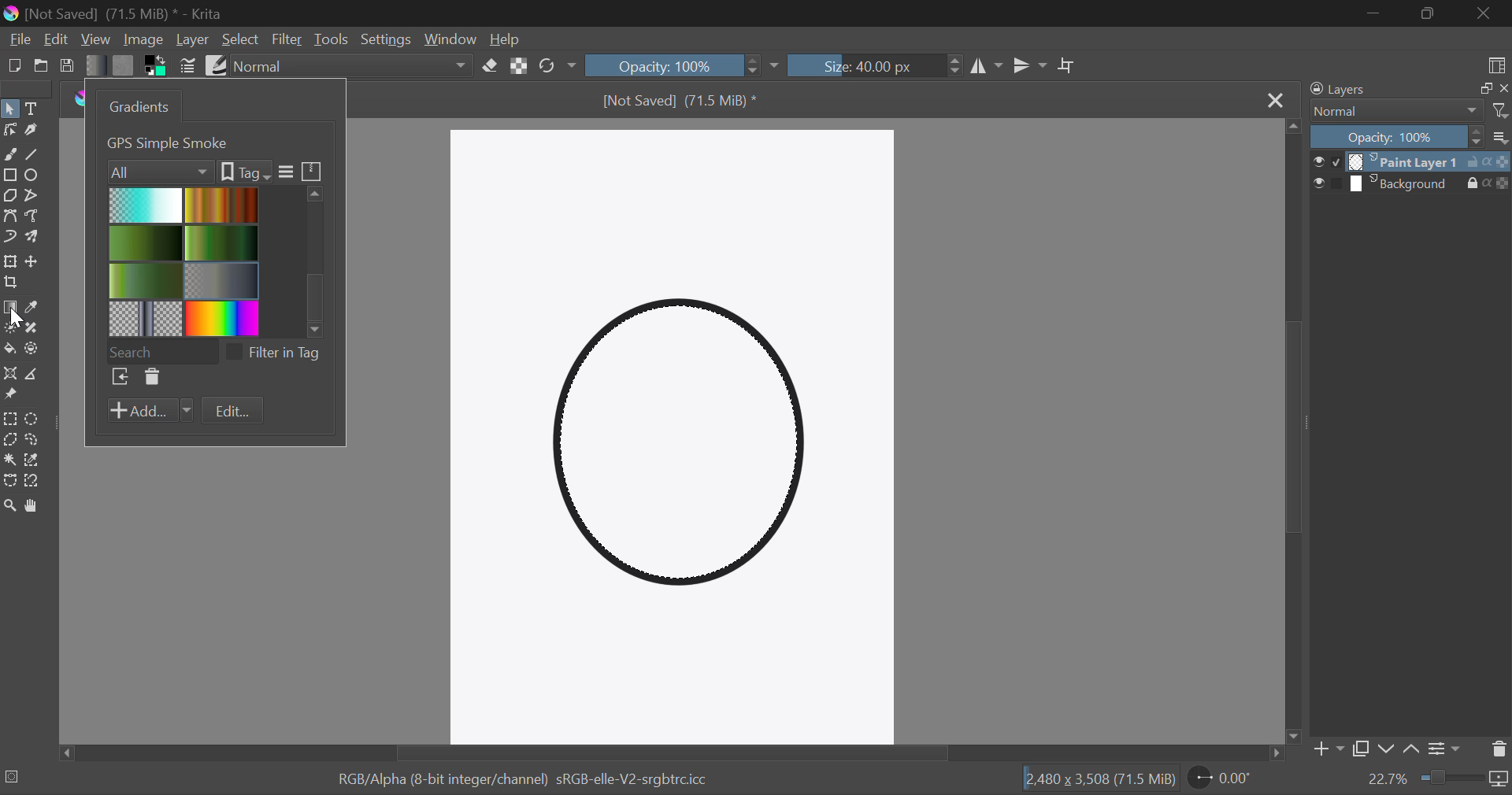  Describe the element at coordinates (1430, 14) in the screenshot. I see `Minimize` at that location.